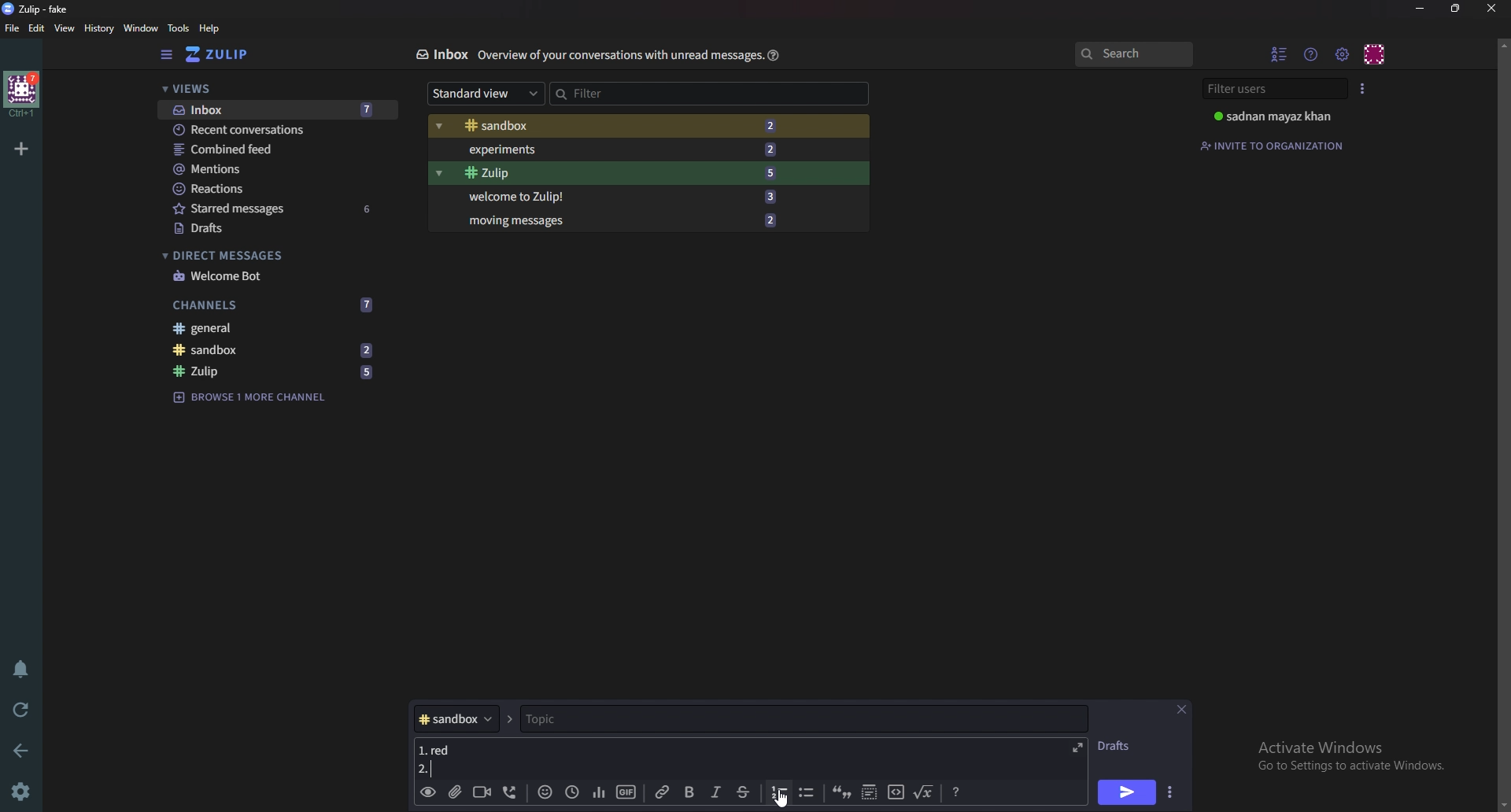  Describe the element at coordinates (622, 126) in the screenshot. I see `Sandbox` at that location.